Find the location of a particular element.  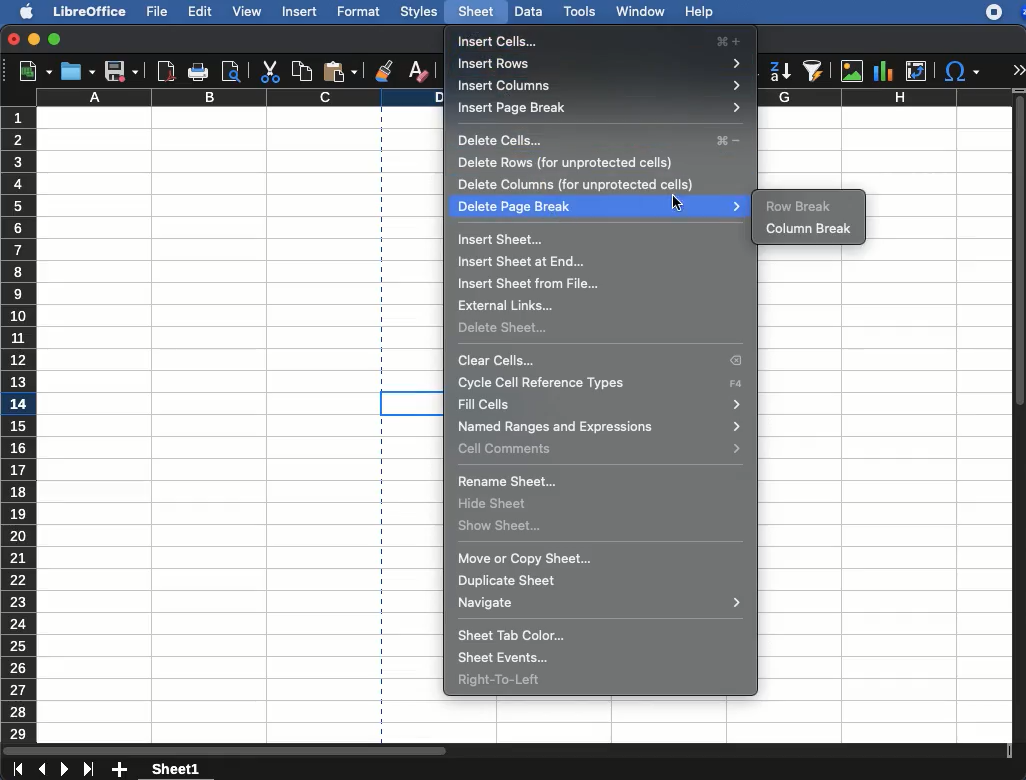

last sheet is located at coordinates (17, 770).